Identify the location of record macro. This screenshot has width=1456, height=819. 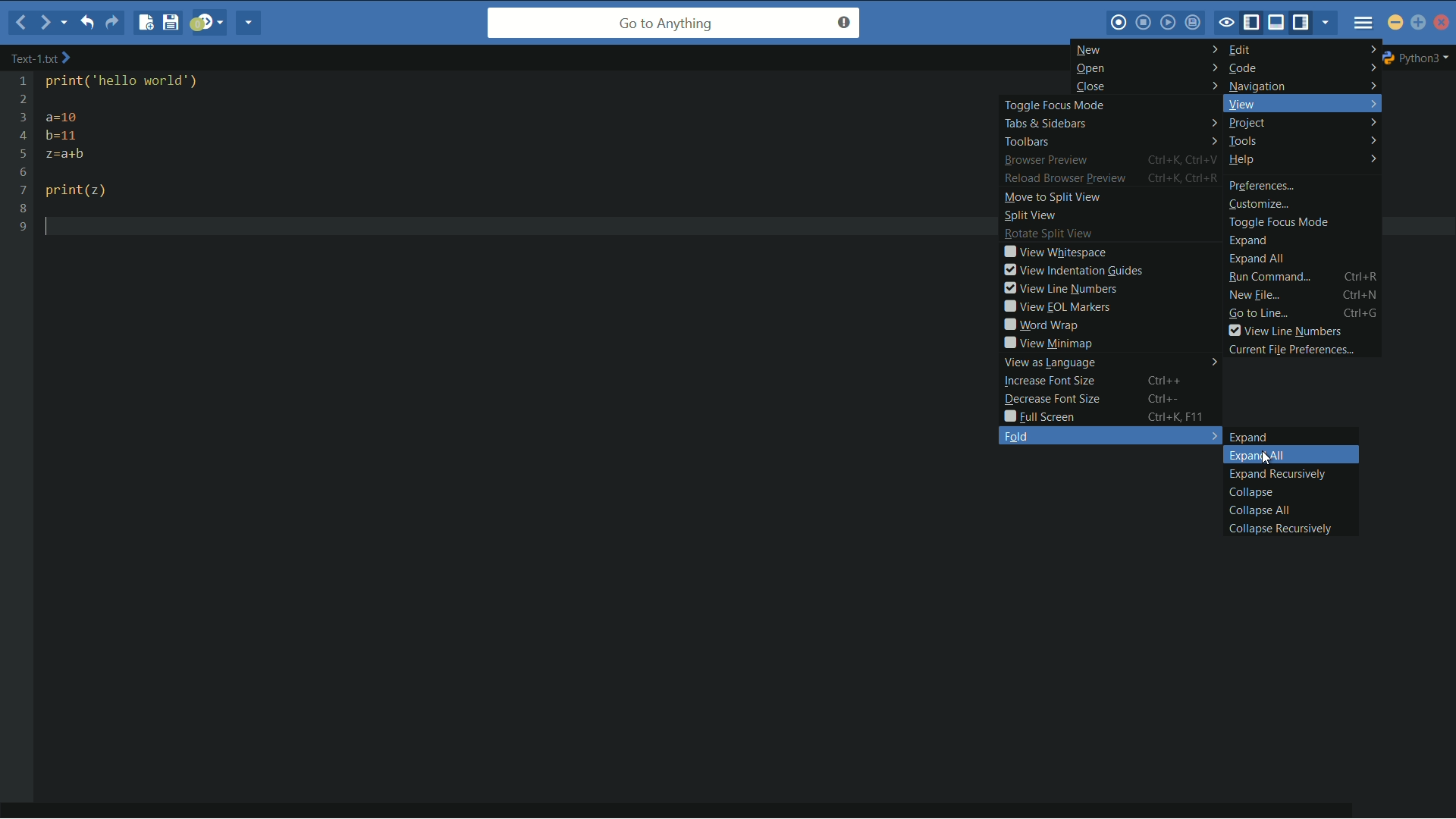
(1120, 22).